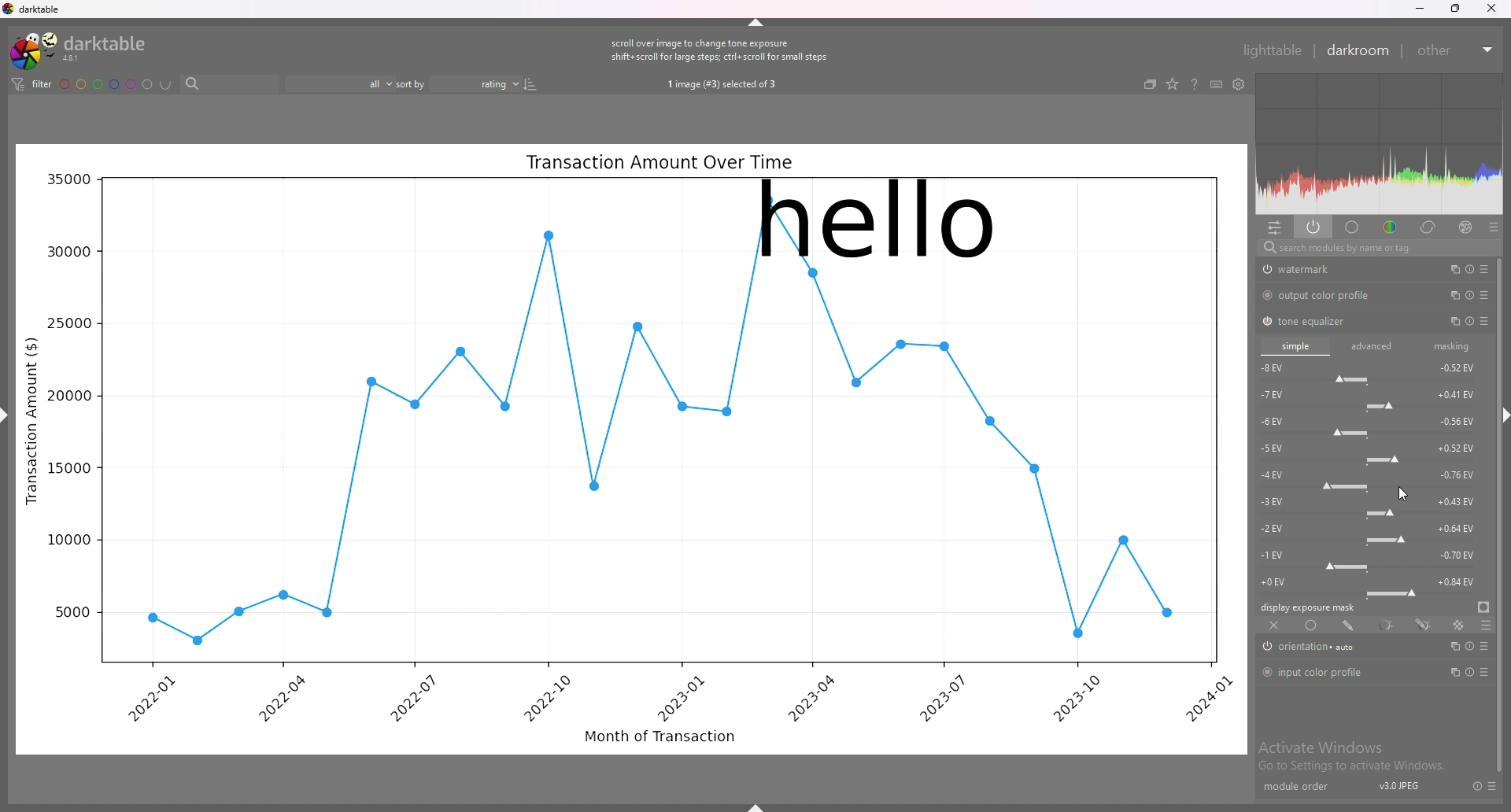 Image resolution: width=1511 pixels, height=812 pixels. What do you see at coordinates (659, 735) in the screenshot?
I see `Month of Transaction` at bounding box center [659, 735].